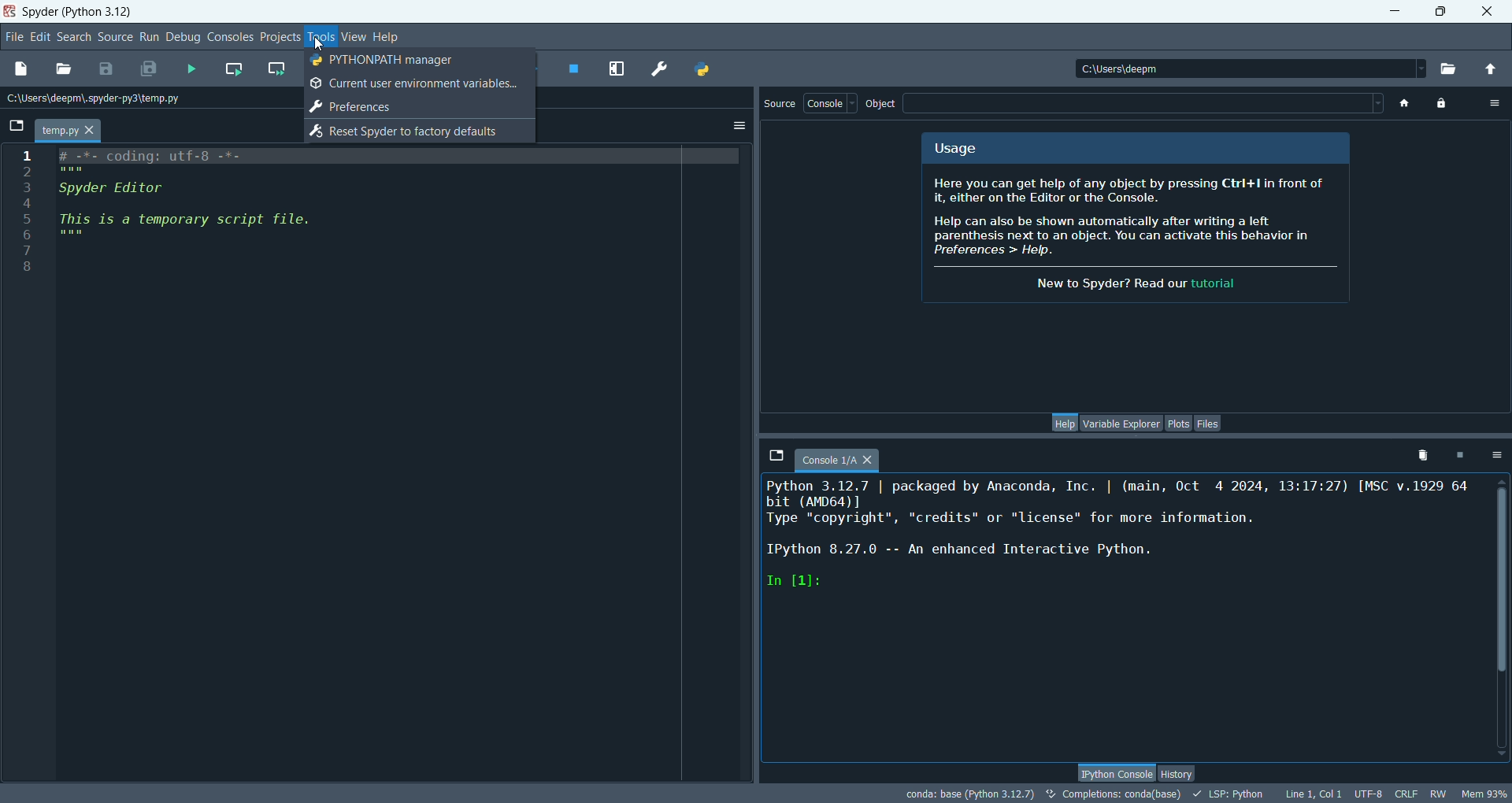 The image size is (1512, 803). What do you see at coordinates (1208, 424) in the screenshot?
I see `files` at bounding box center [1208, 424].